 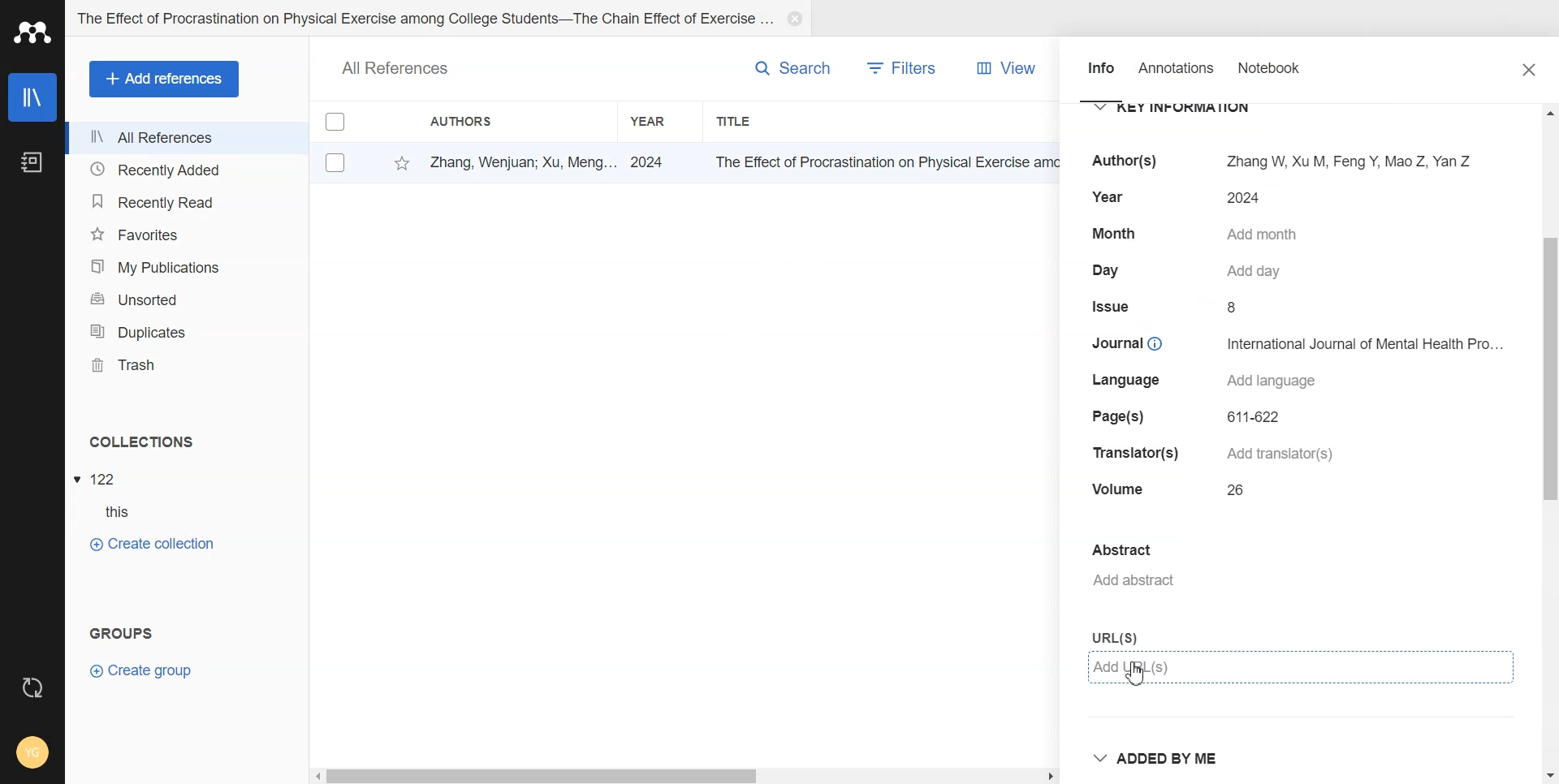 I want to click on Add Refrences, so click(x=164, y=79).